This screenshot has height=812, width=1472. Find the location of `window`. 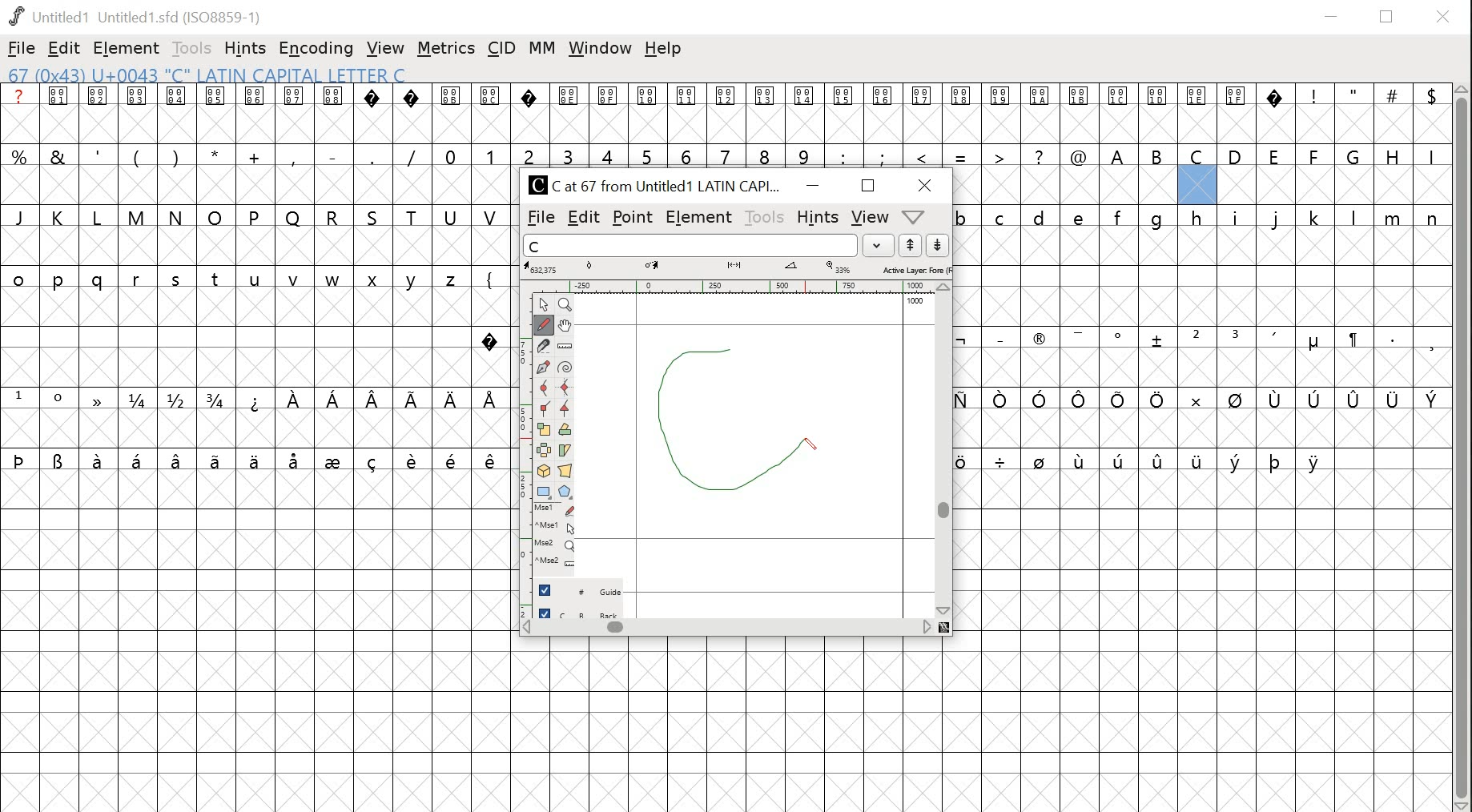

window is located at coordinates (601, 51).